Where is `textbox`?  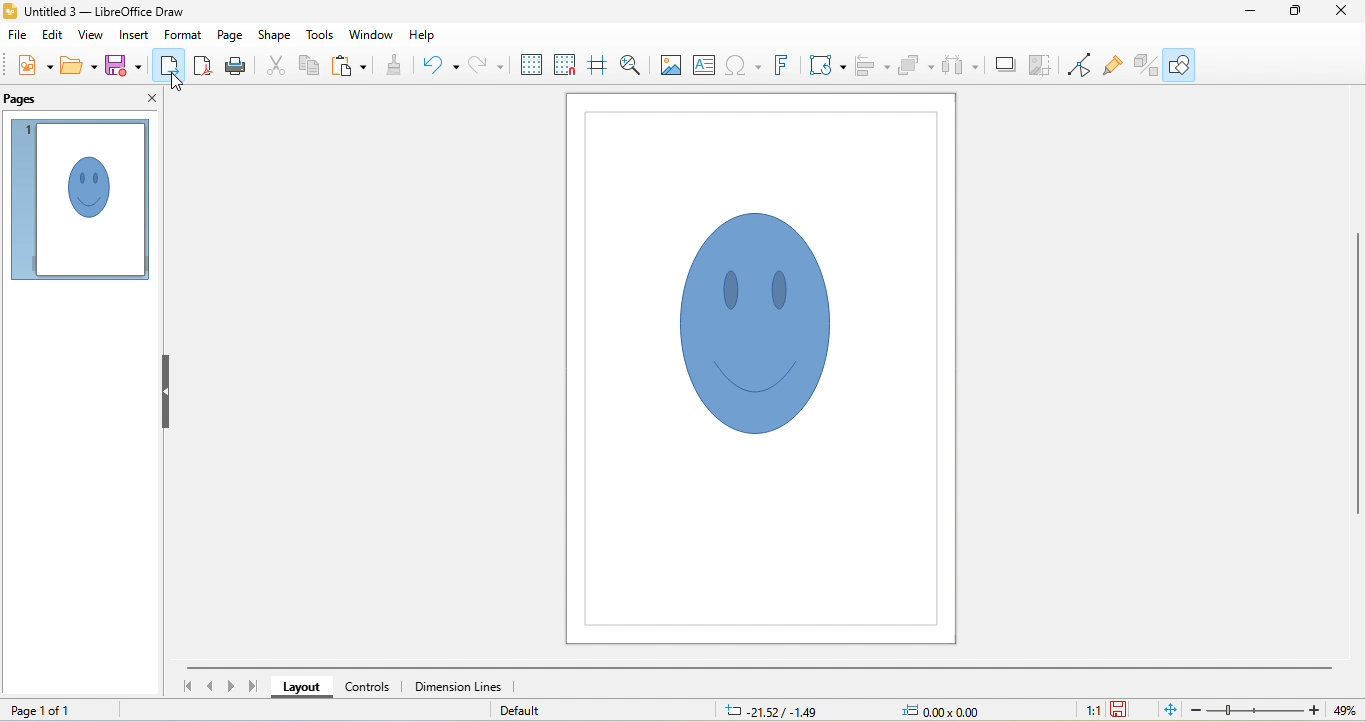
textbox is located at coordinates (704, 66).